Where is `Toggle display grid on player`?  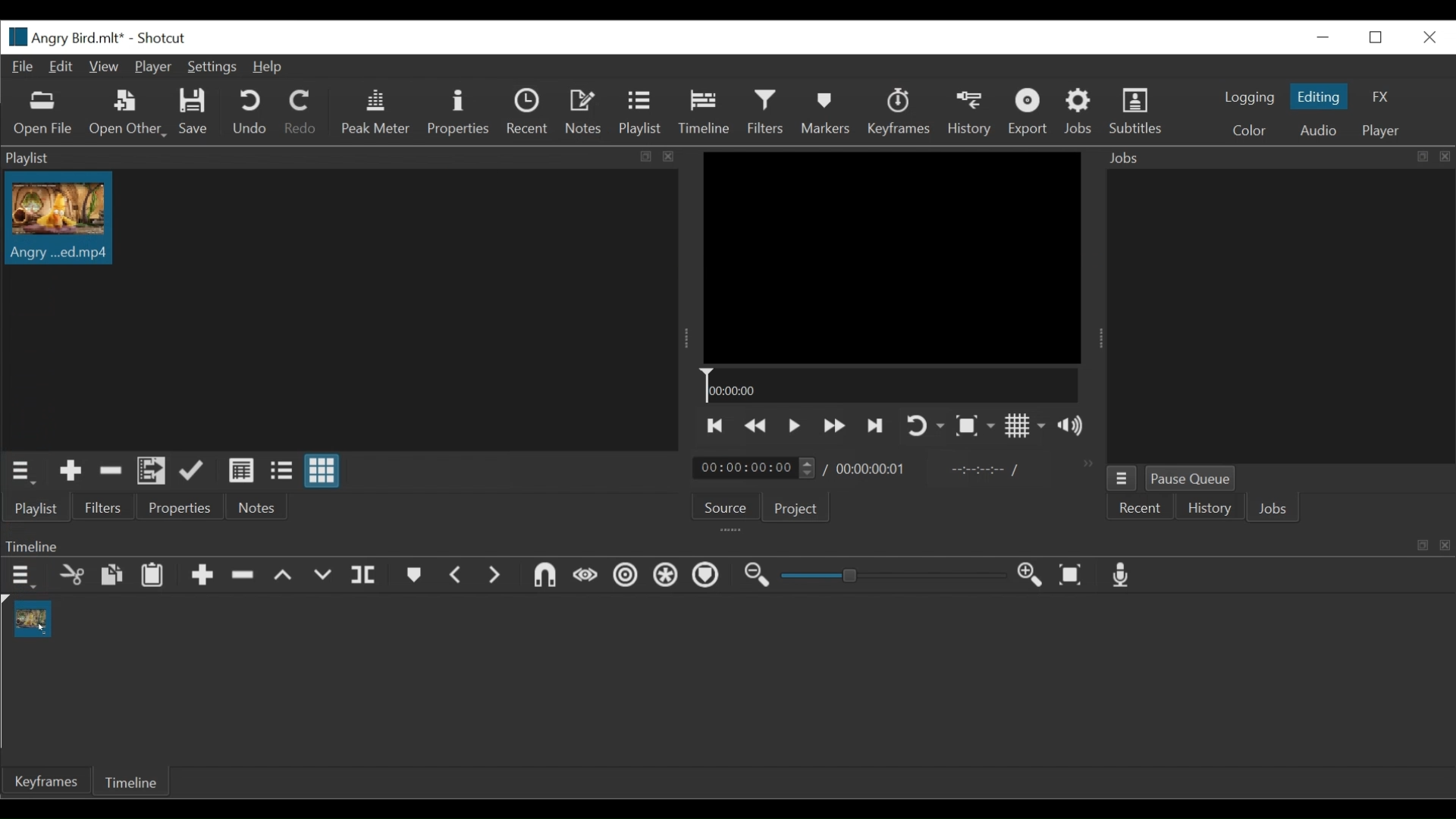 Toggle display grid on player is located at coordinates (1026, 425).